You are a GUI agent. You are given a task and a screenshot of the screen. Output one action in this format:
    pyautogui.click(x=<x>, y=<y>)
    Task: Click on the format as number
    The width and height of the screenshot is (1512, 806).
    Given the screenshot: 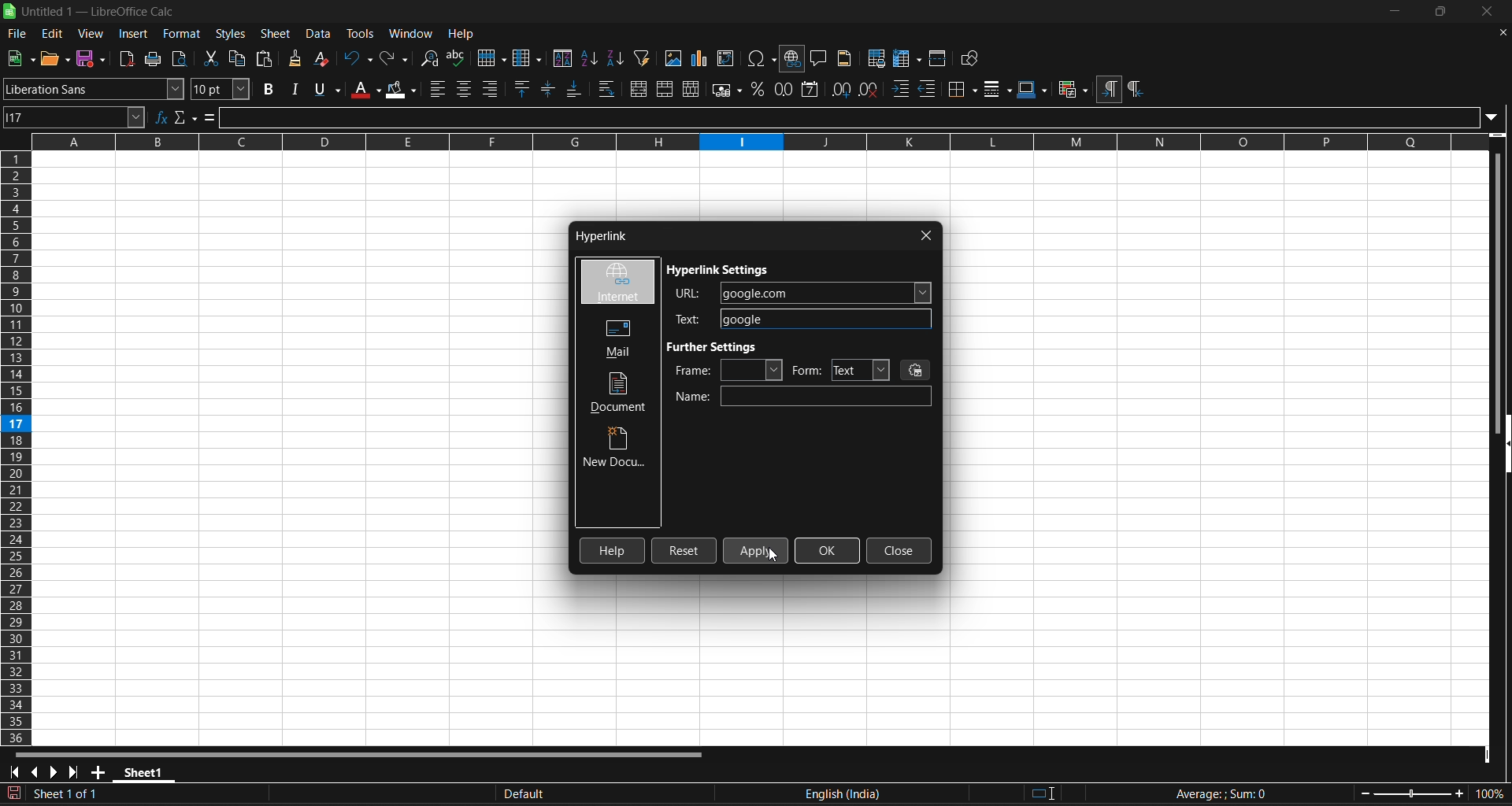 What is the action you would take?
    pyautogui.click(x=783, y=90)
    